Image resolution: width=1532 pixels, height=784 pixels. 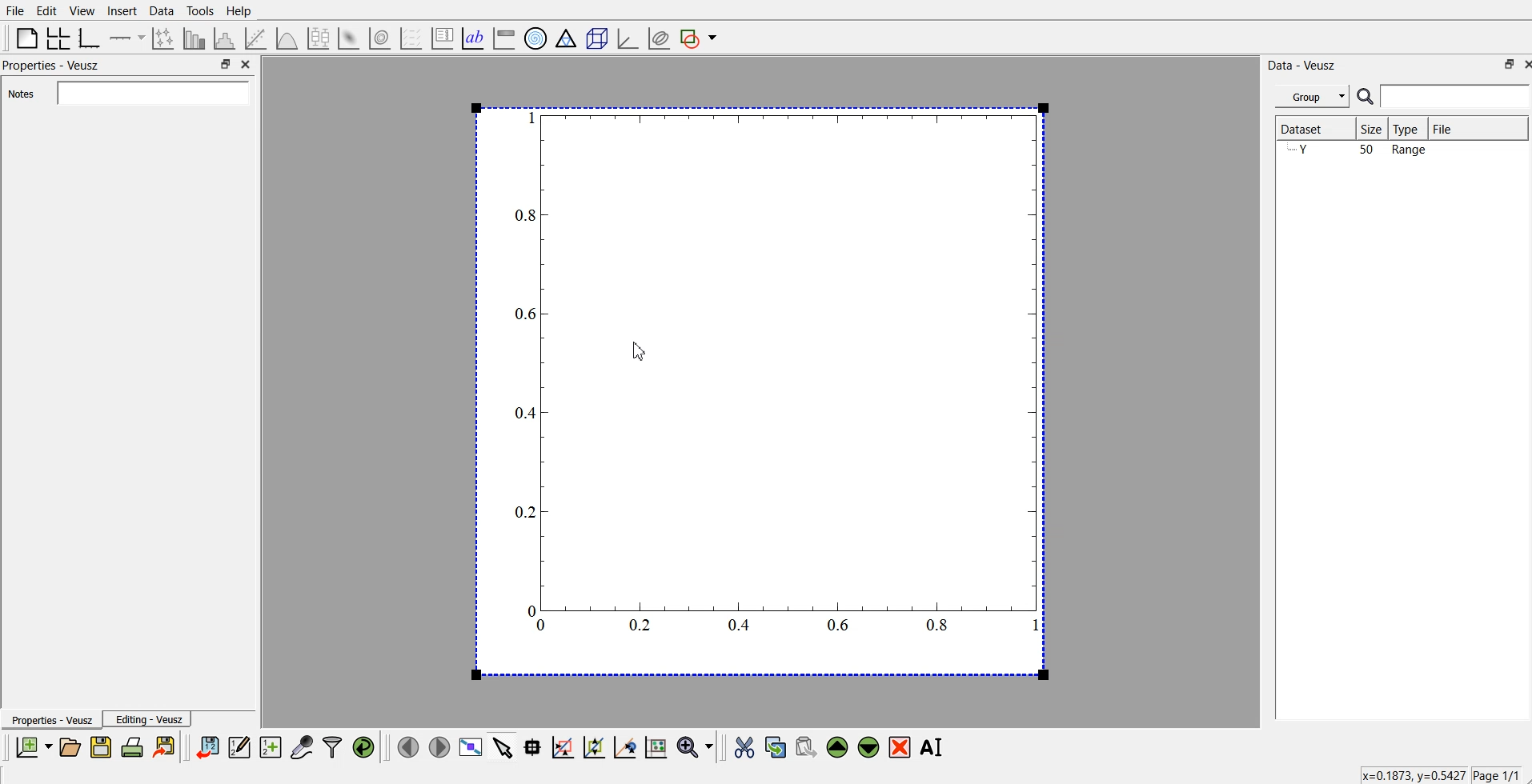 I want to click on plot box plots, so click(x=321, y=38).